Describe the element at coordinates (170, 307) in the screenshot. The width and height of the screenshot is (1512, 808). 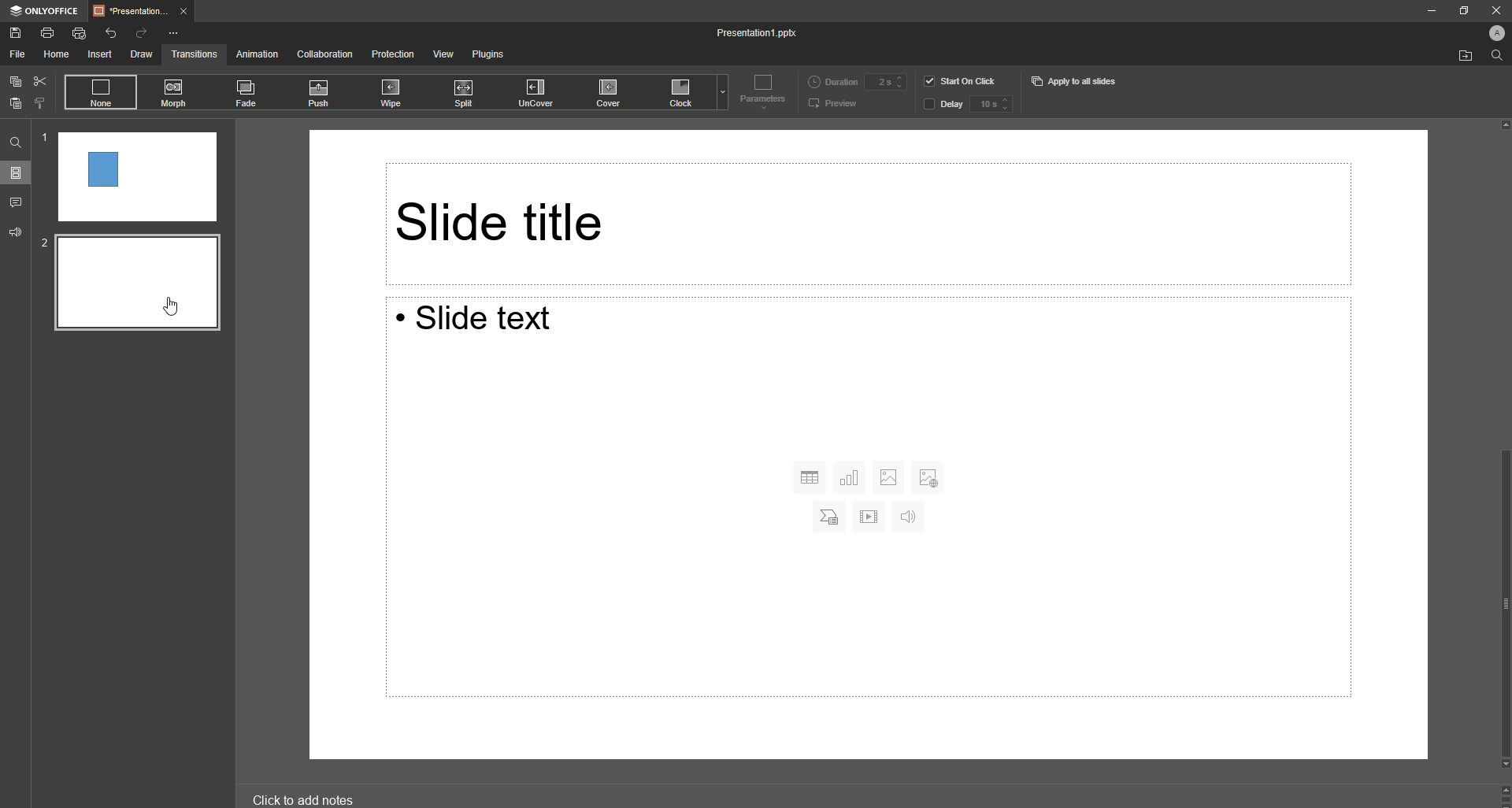
I see `Cursor` at that location.